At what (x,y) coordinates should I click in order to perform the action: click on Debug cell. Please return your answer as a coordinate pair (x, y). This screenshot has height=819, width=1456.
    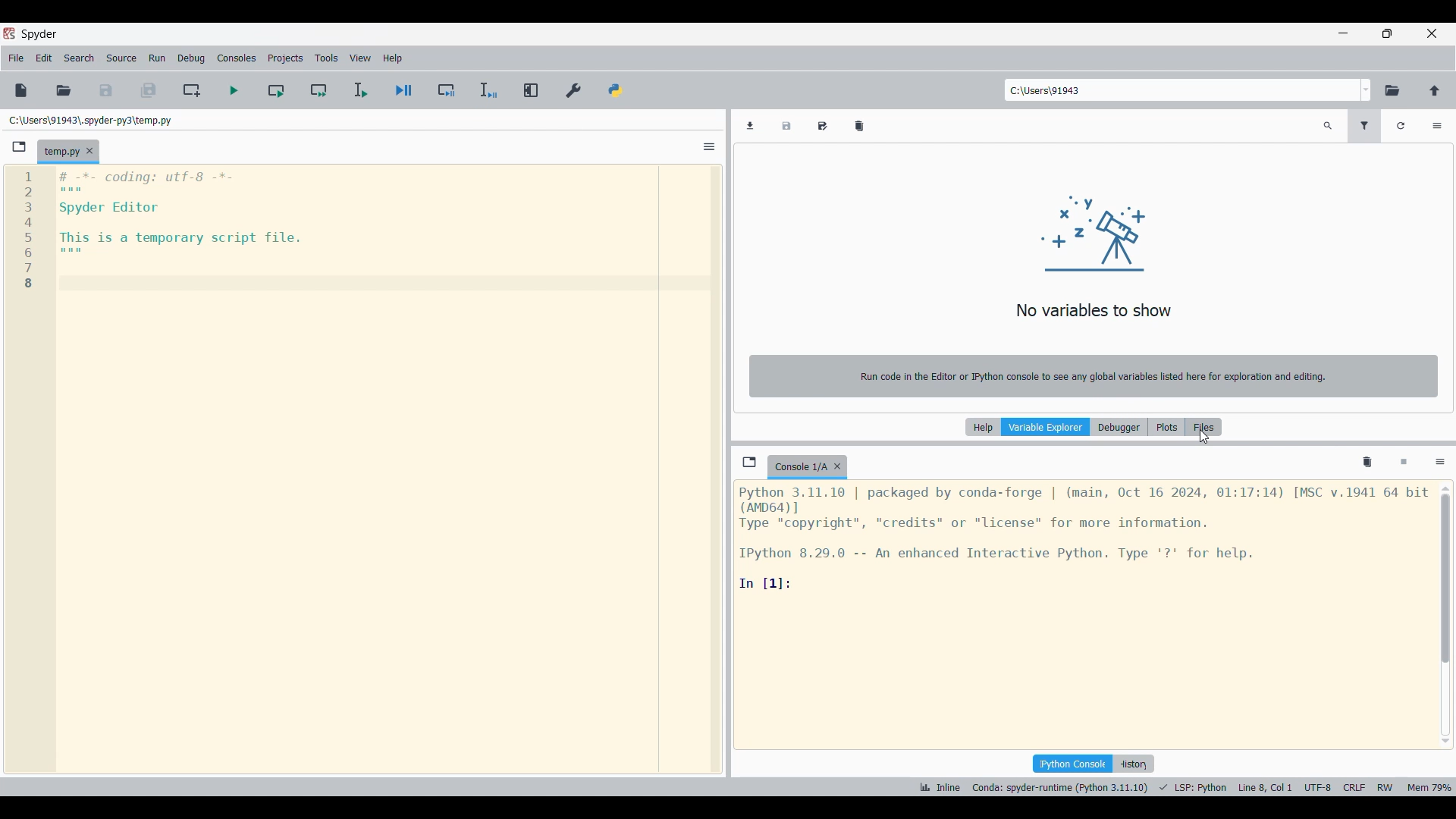
    Looking at the image, I should click on (447, 89).